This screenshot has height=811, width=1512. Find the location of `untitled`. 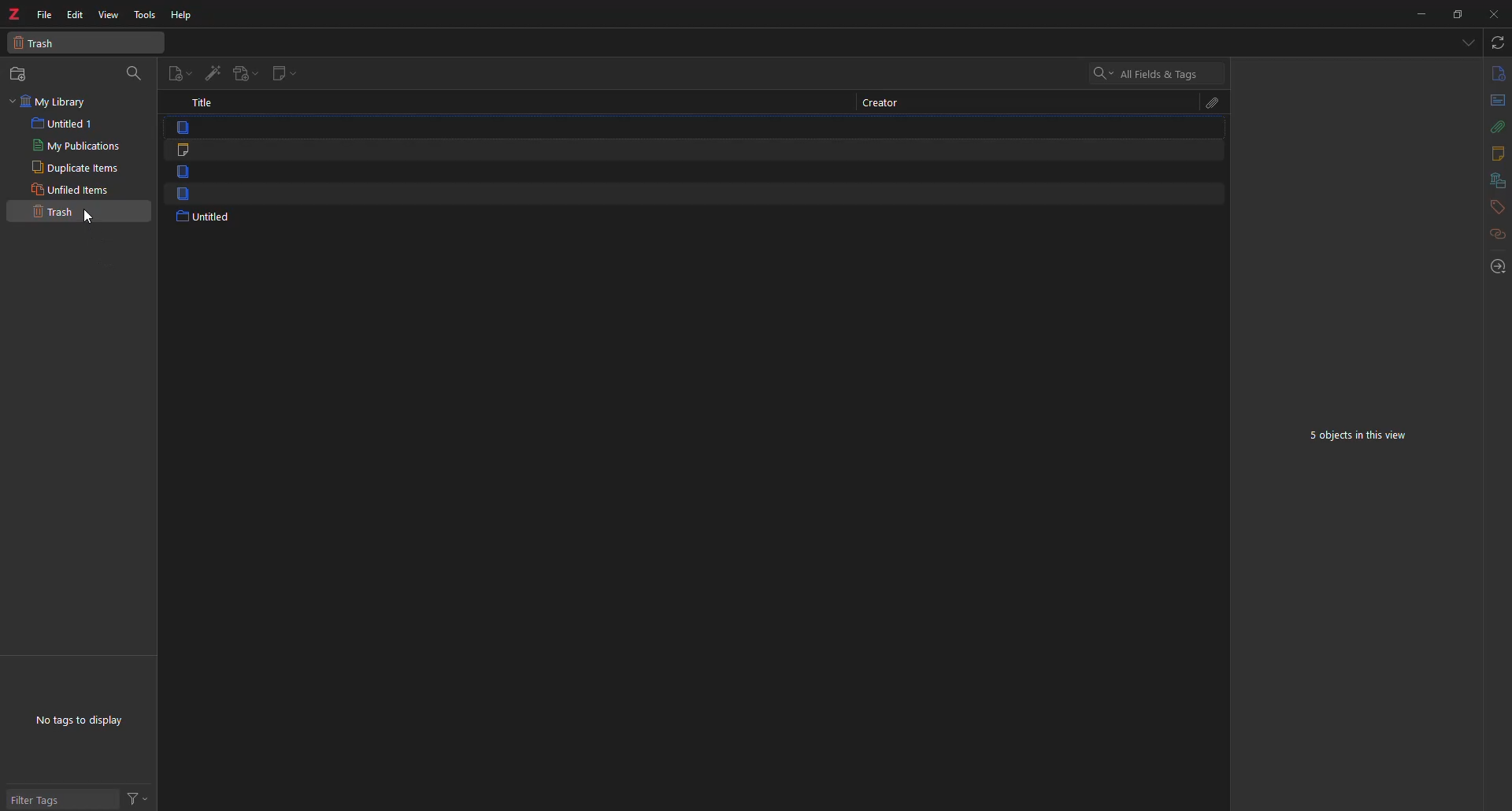

untitled is located at coordinates (202, 218).